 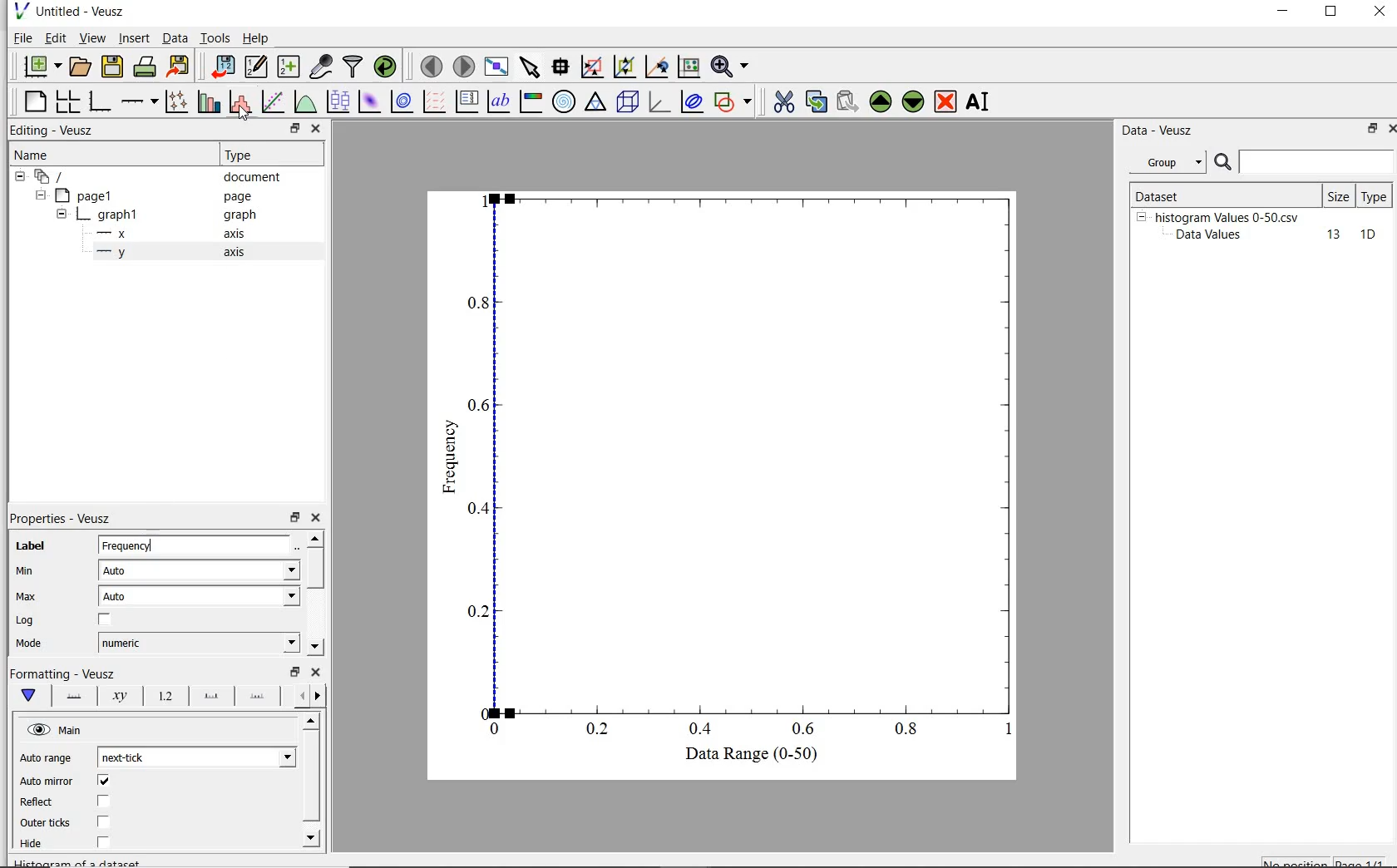 I want to click on 13, so click(x=1326, y=235).